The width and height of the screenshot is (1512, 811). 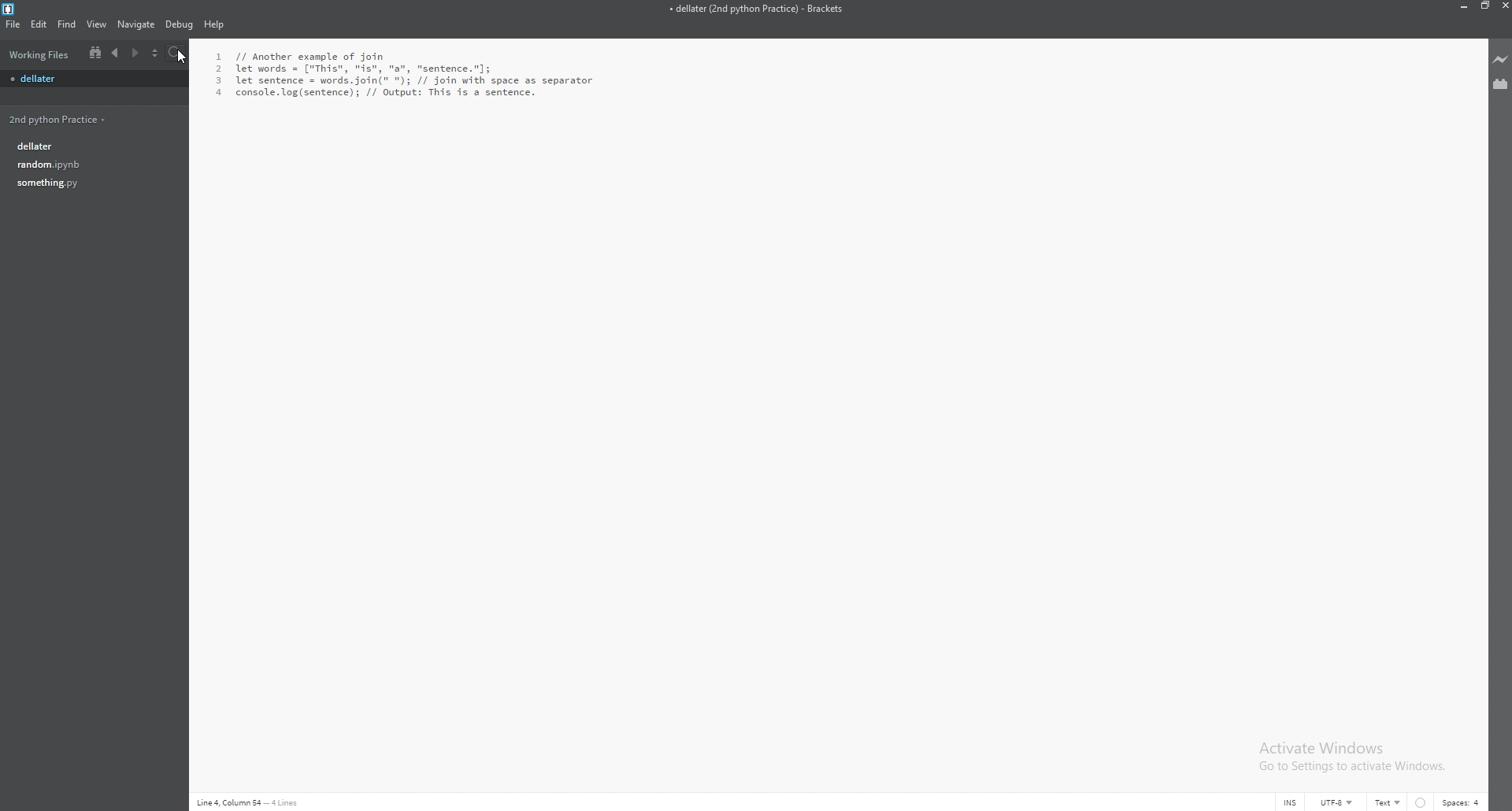 What do you see at coordinates (38, 55) in the screenshot?
I see `working files` at bounding box center [38, 55].